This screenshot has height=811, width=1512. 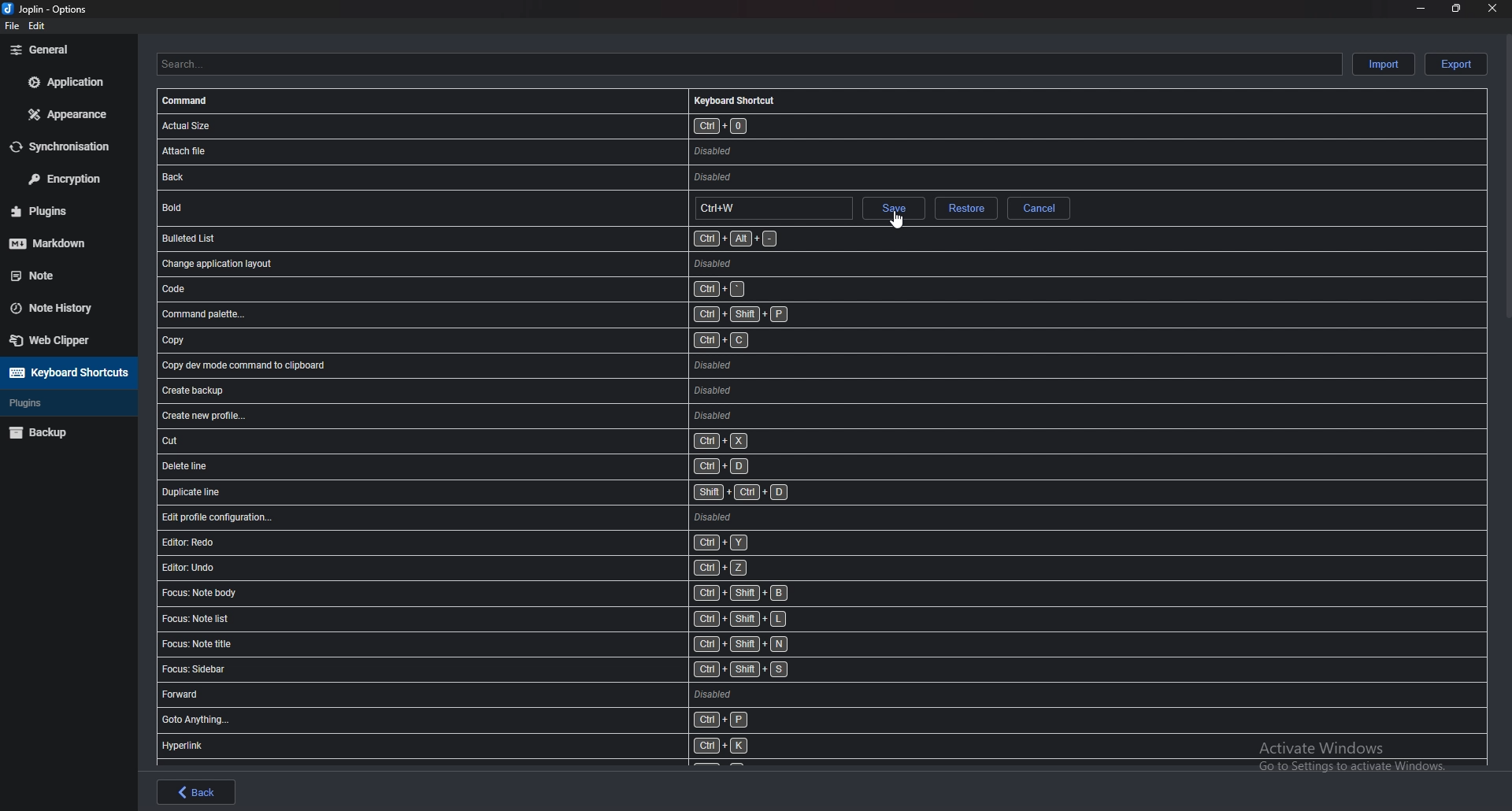 I want to click on Export, so click(x=1458, y=65).